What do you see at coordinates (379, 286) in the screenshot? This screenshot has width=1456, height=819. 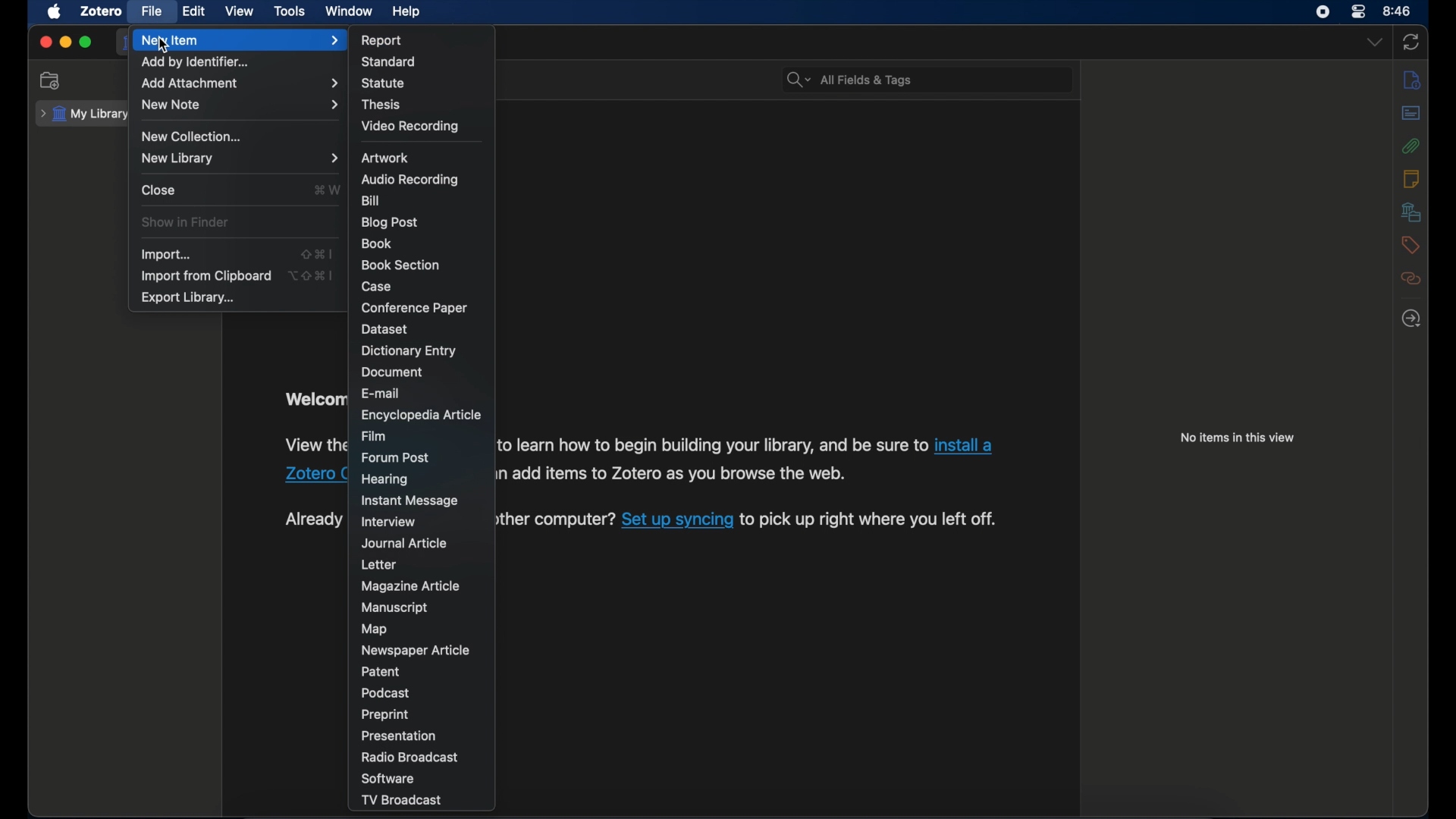 I see `case` at bounding box center [379, 286].